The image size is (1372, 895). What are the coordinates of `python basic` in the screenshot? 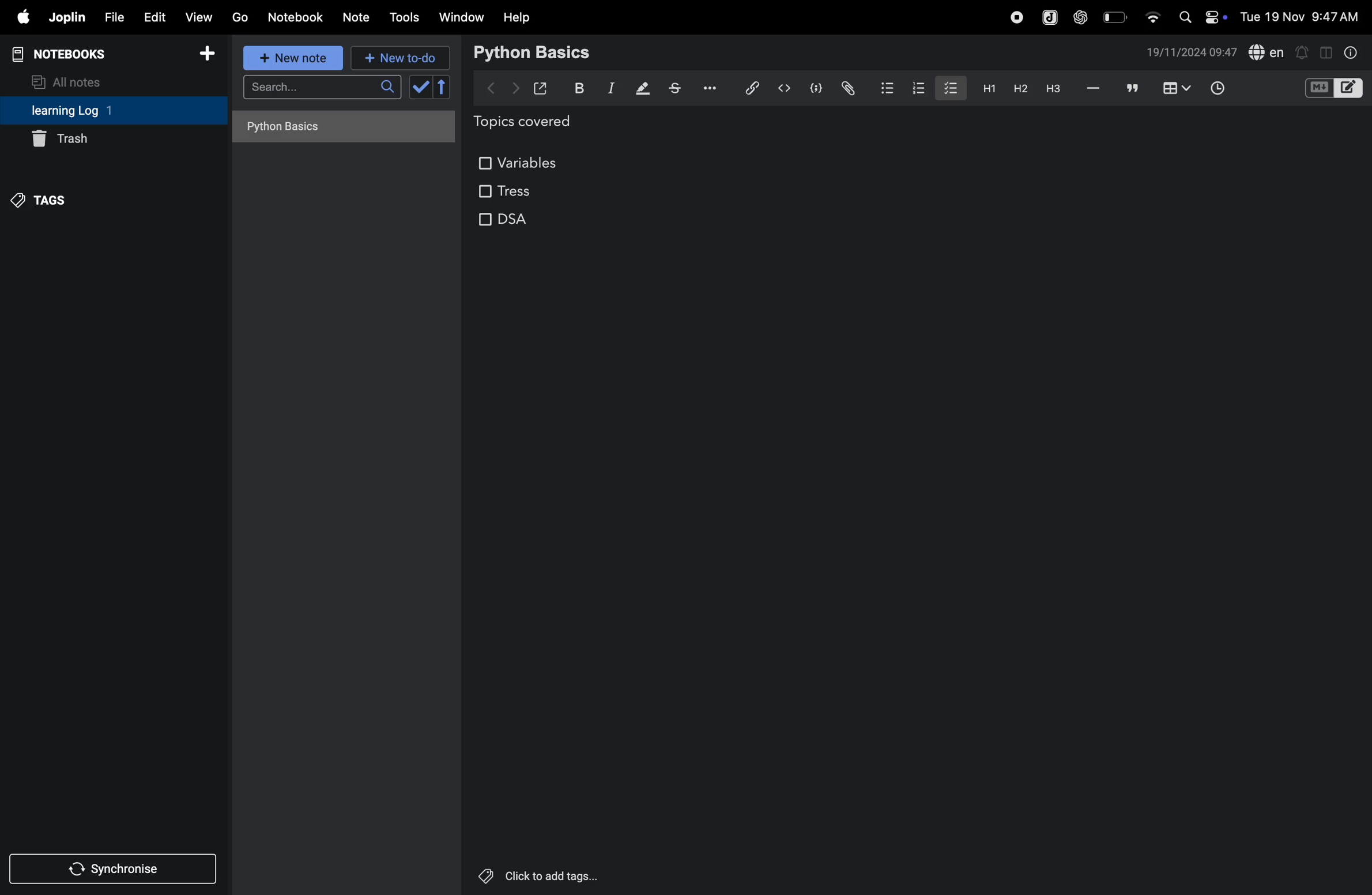 It's located at (534, 51).